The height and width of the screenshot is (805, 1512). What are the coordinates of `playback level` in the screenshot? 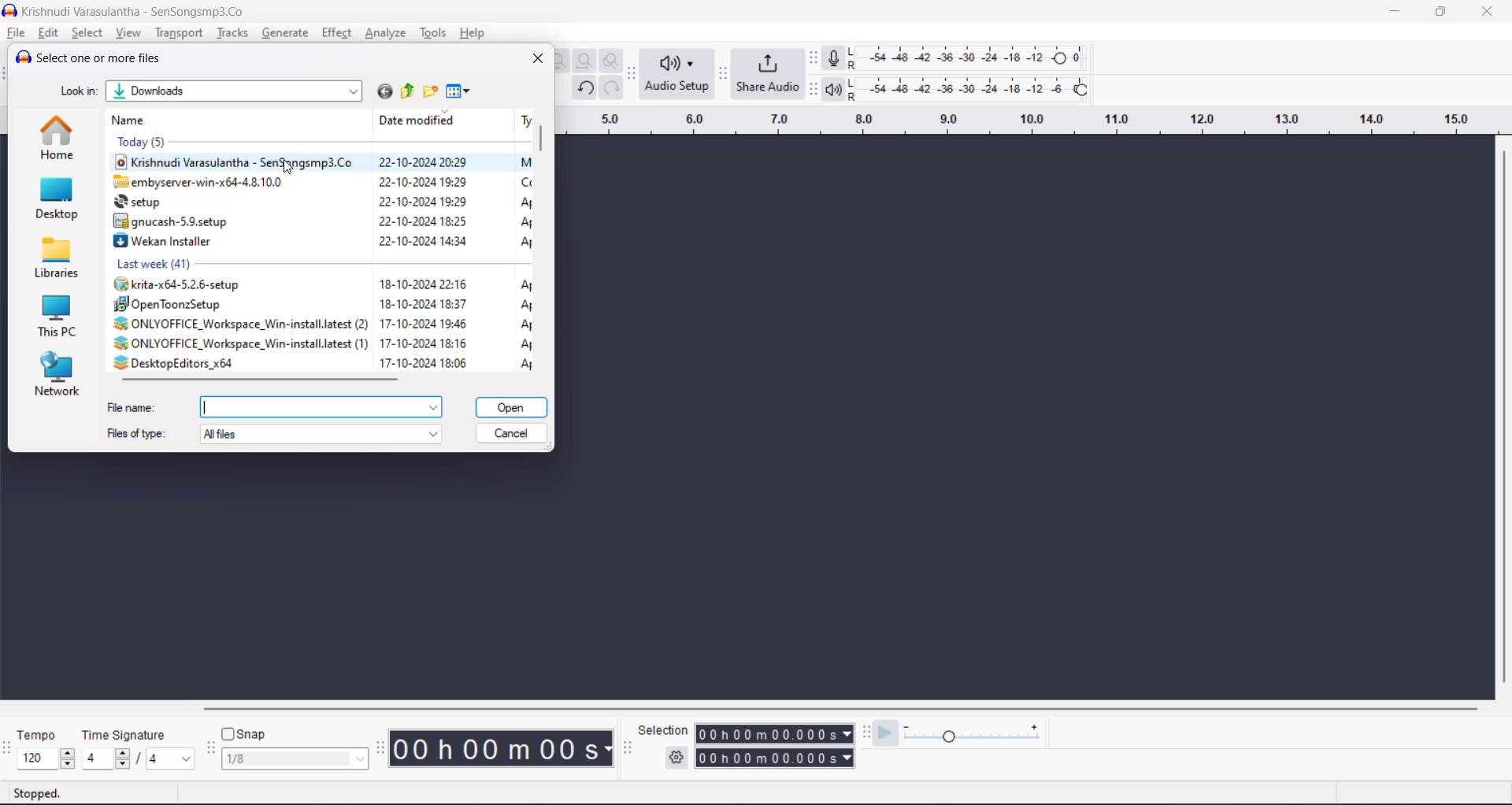 It's located at (980, 87).